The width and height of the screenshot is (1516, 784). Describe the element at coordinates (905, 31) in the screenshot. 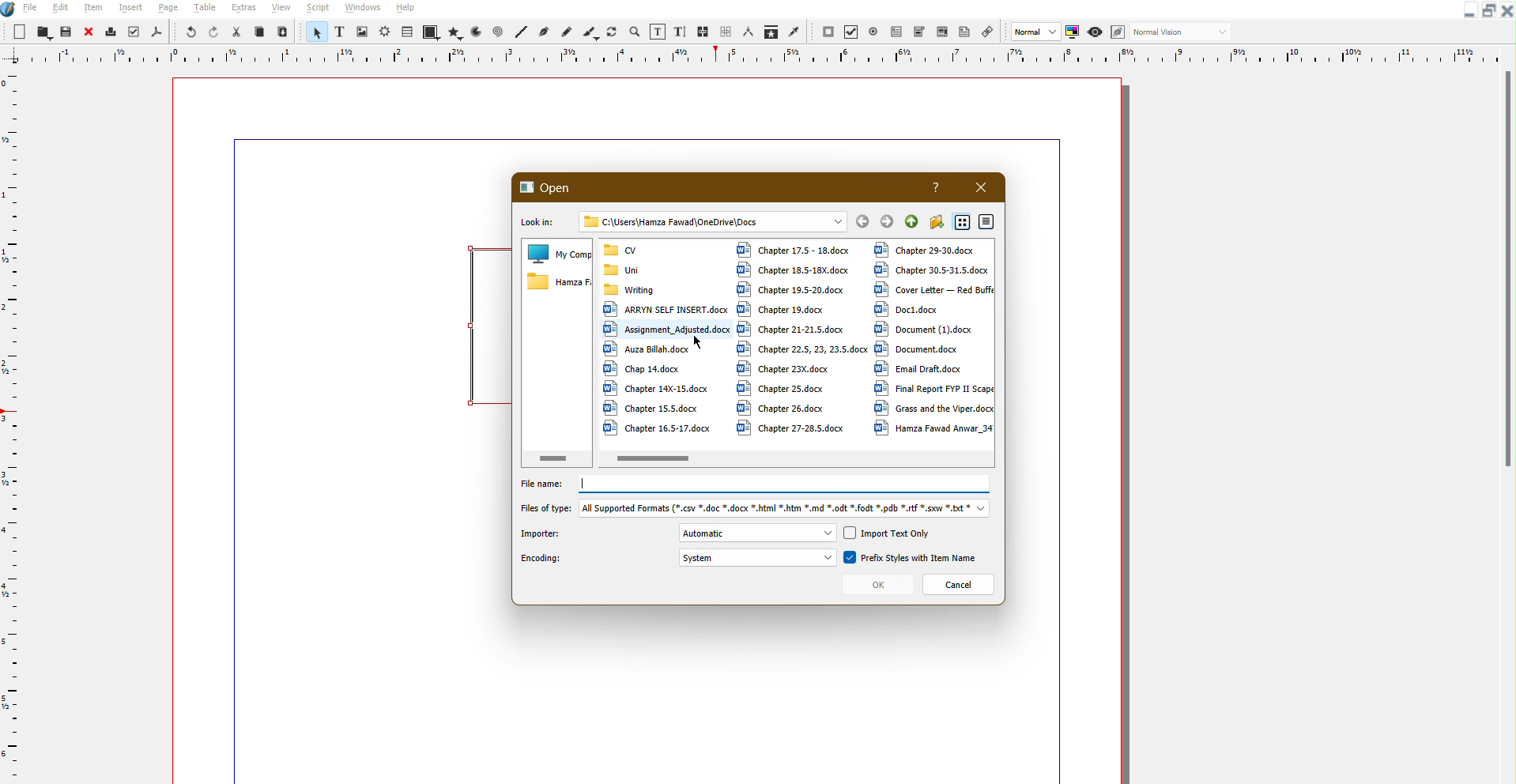

I see `PDF Tools` at that location.